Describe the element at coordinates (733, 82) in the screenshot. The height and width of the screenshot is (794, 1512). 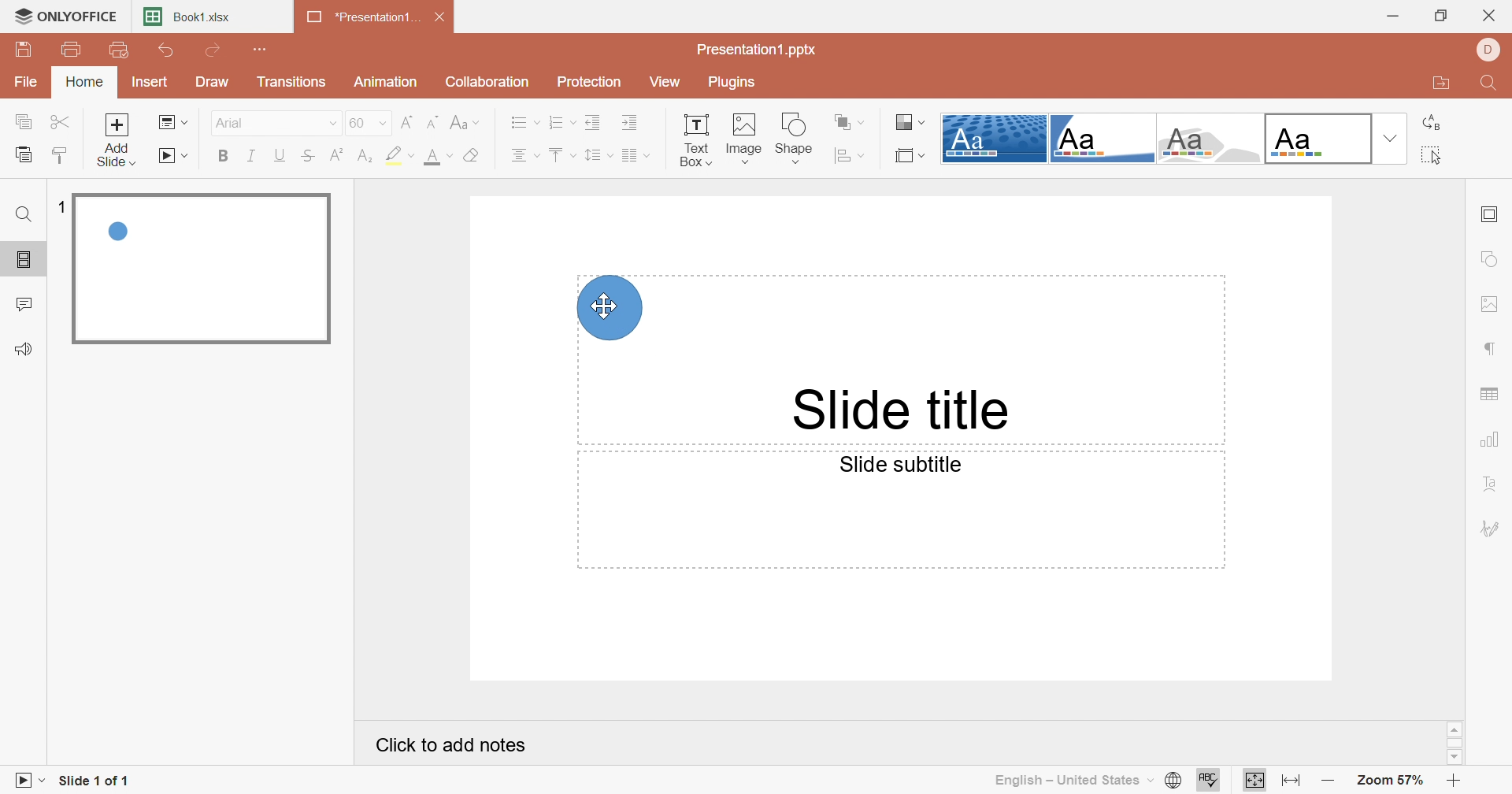
I see `Plugins` at that location.